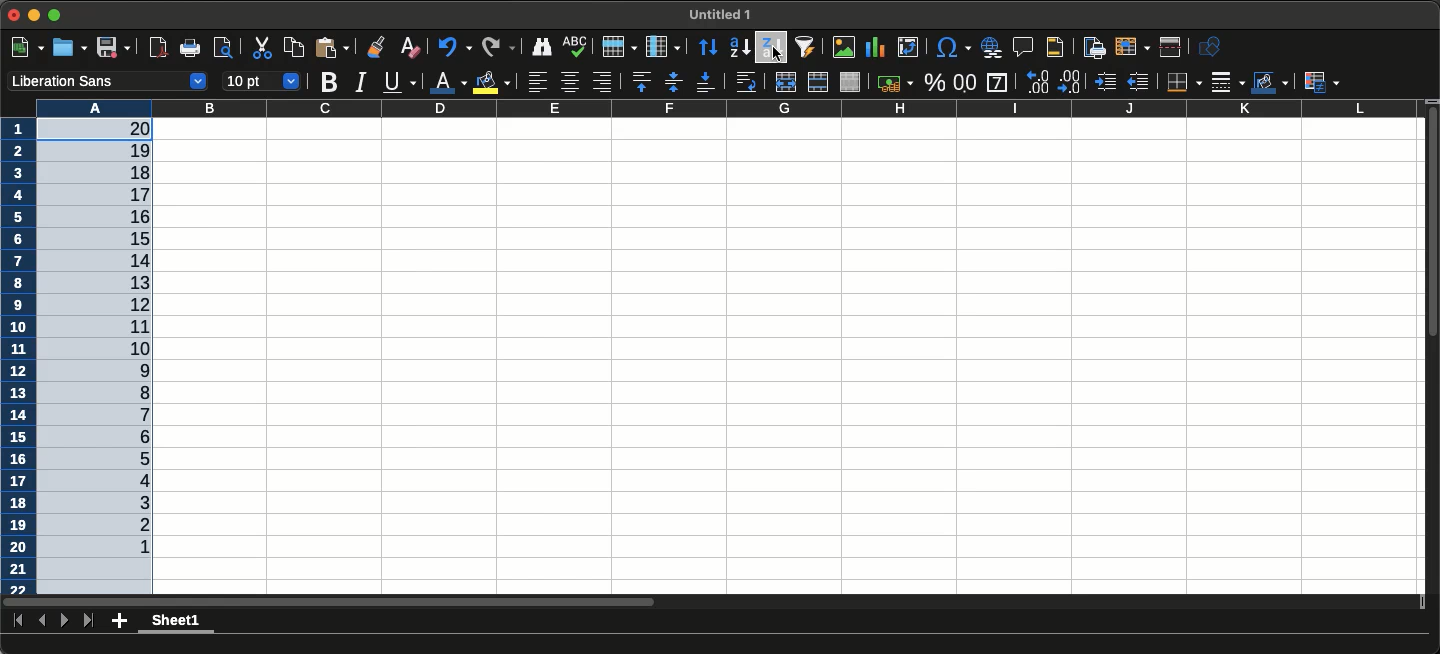 This screenshot has width=1440, height=654. Describe the element at coordinates (1213, 48) in the screenshot. I see `Show draw functions` at that location.